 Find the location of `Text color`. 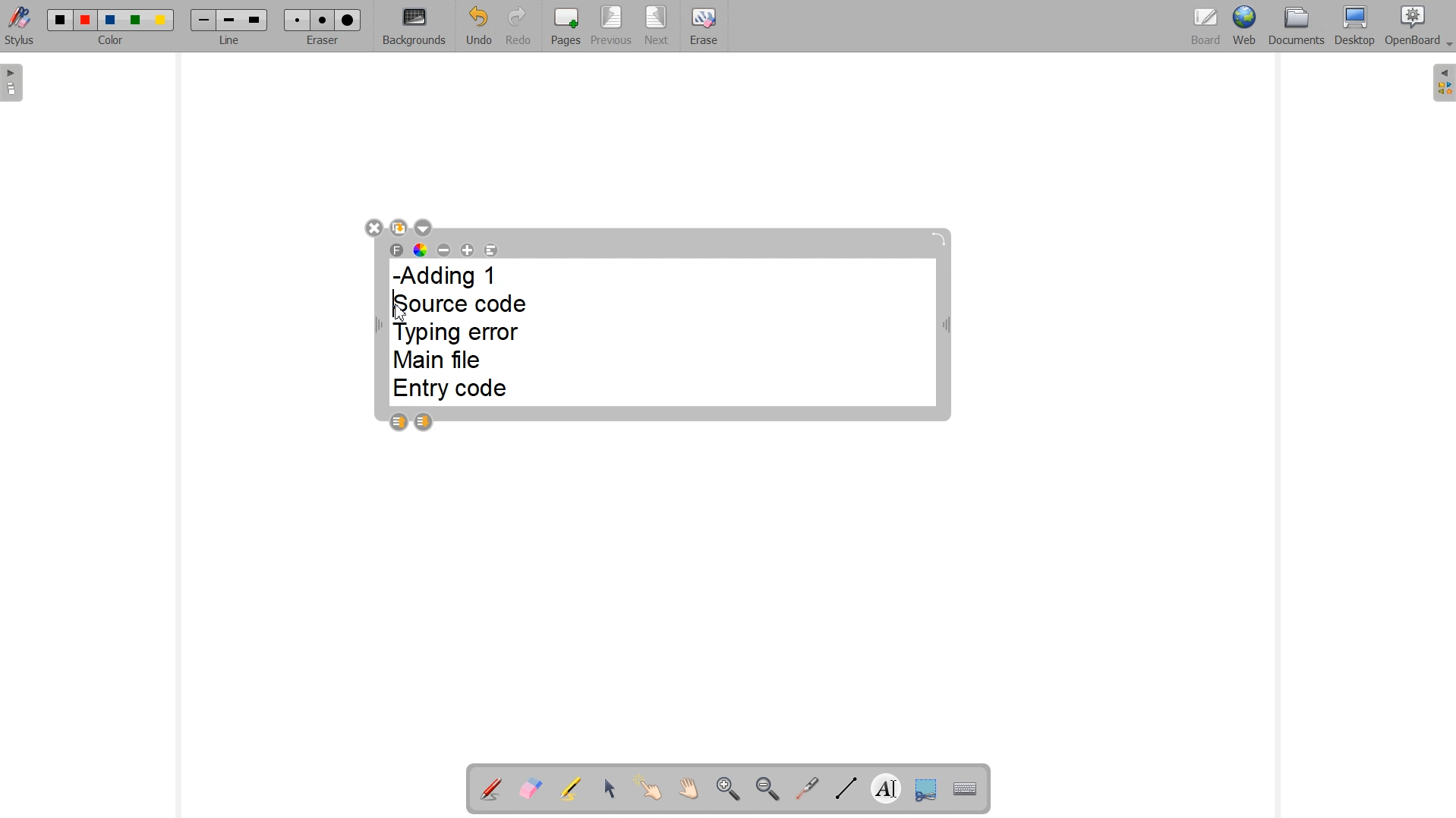

Text color is located at coordinates (421, 250).